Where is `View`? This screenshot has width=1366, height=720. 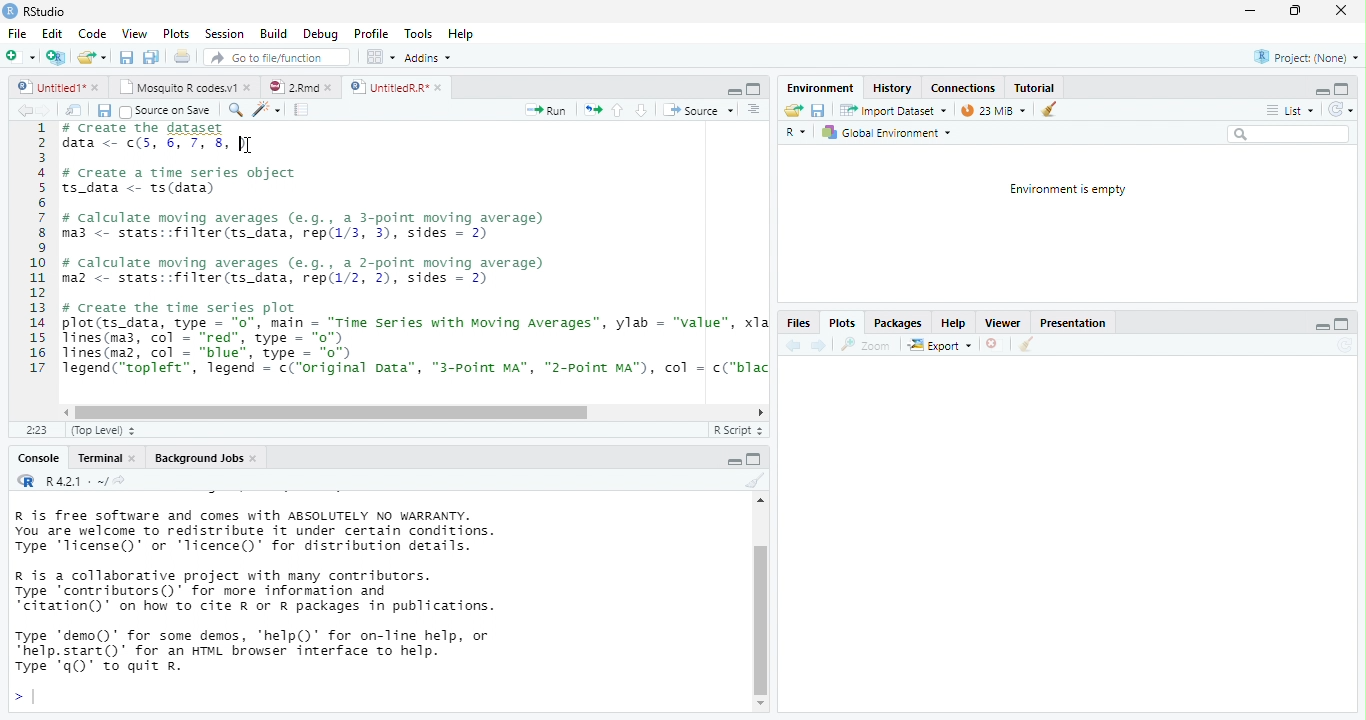 View is located at coordinates (133, 33).